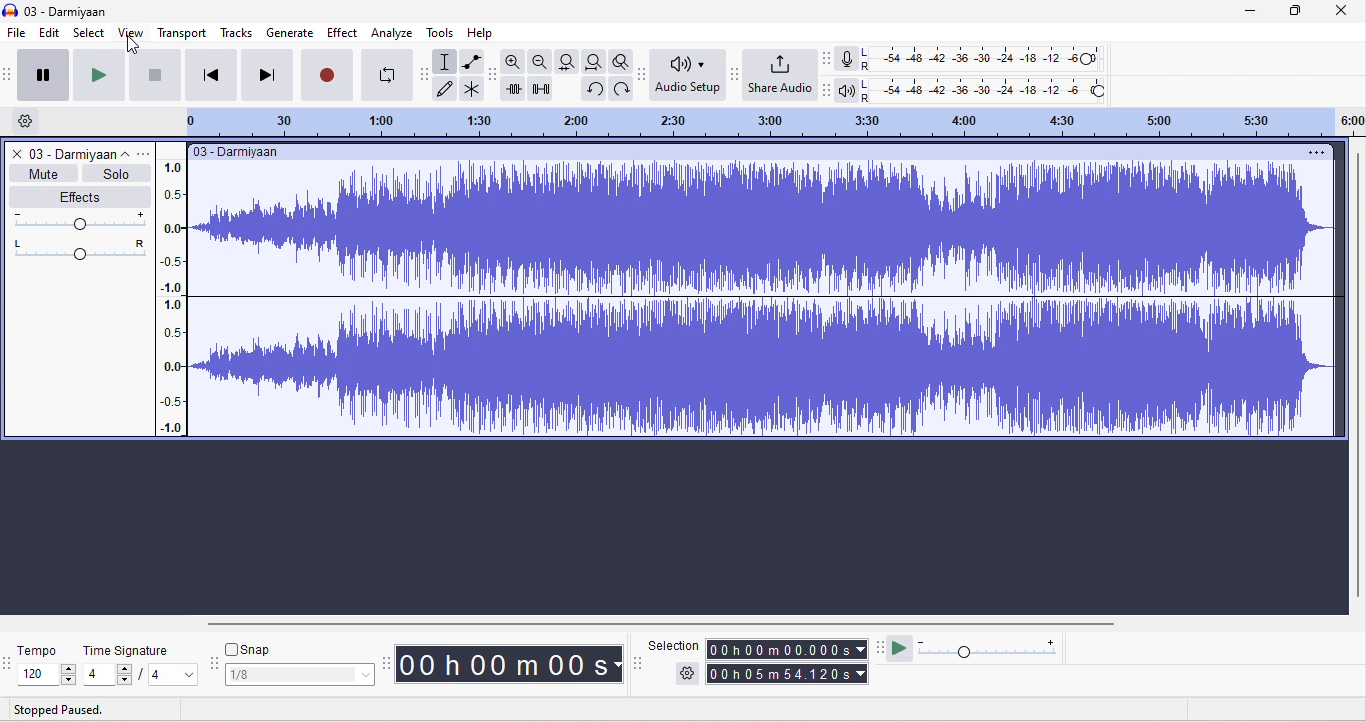 The image size is (1366, 722). I want to click on envelop, so click(471, 62).